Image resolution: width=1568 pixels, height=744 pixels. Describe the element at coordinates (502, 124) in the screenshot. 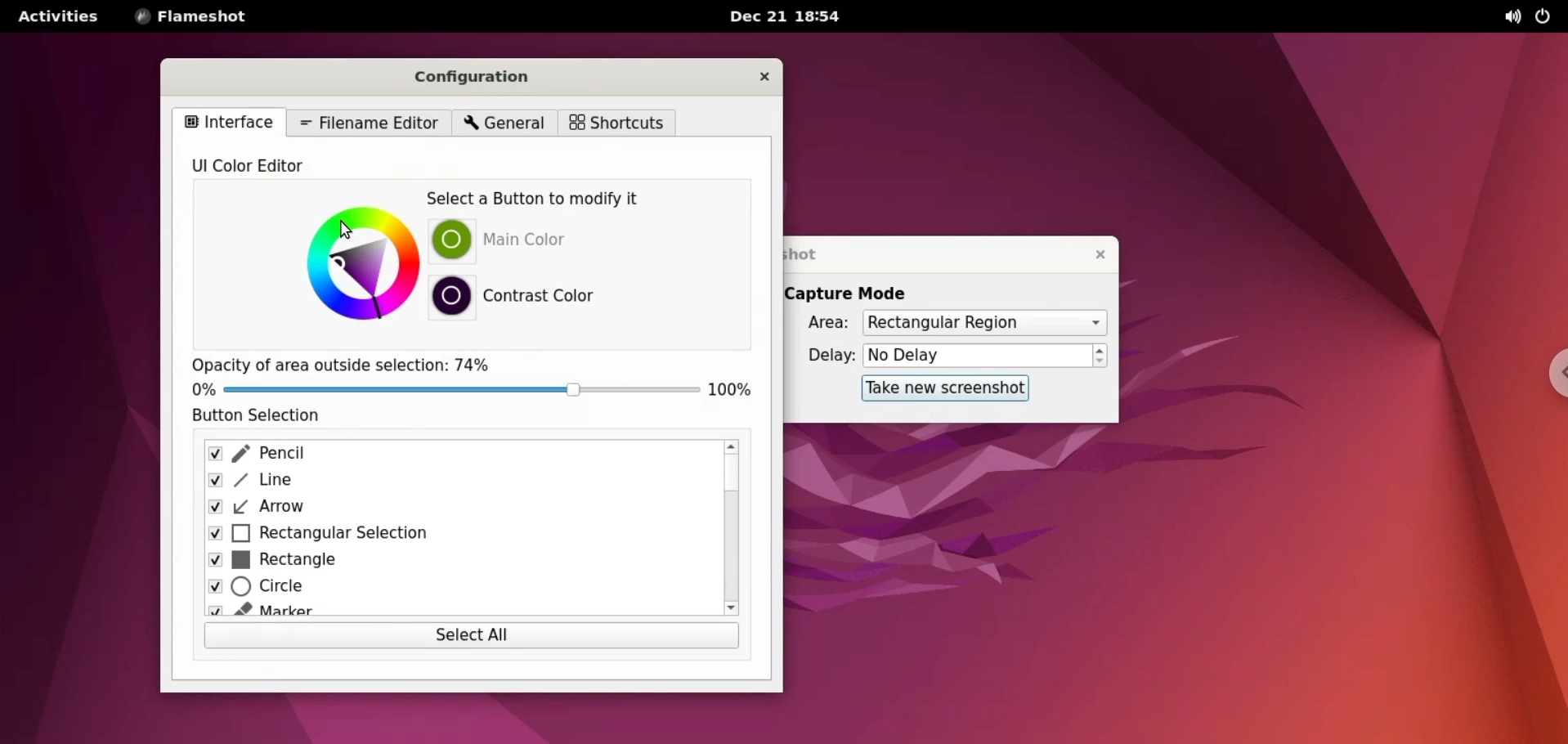

I see `general` at that location.